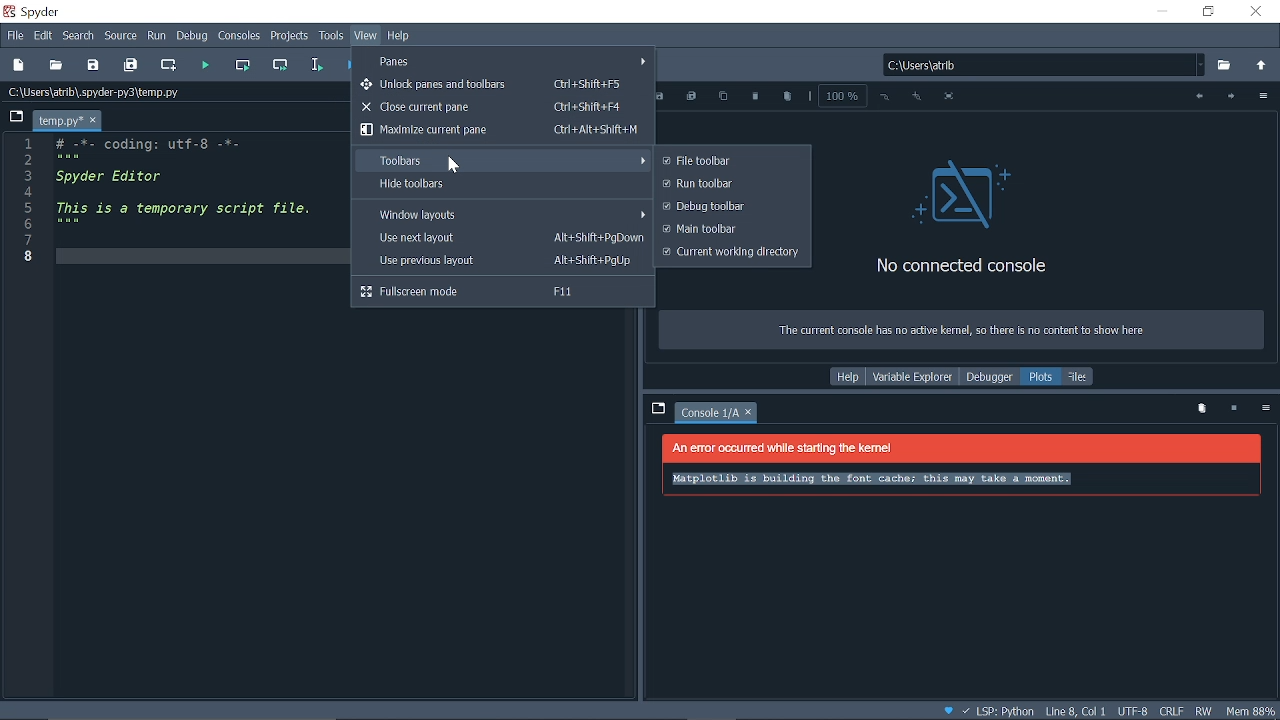 This screenshot has height=720, width=1280. I want to click on Fullscreen mode, so click(503, 292).